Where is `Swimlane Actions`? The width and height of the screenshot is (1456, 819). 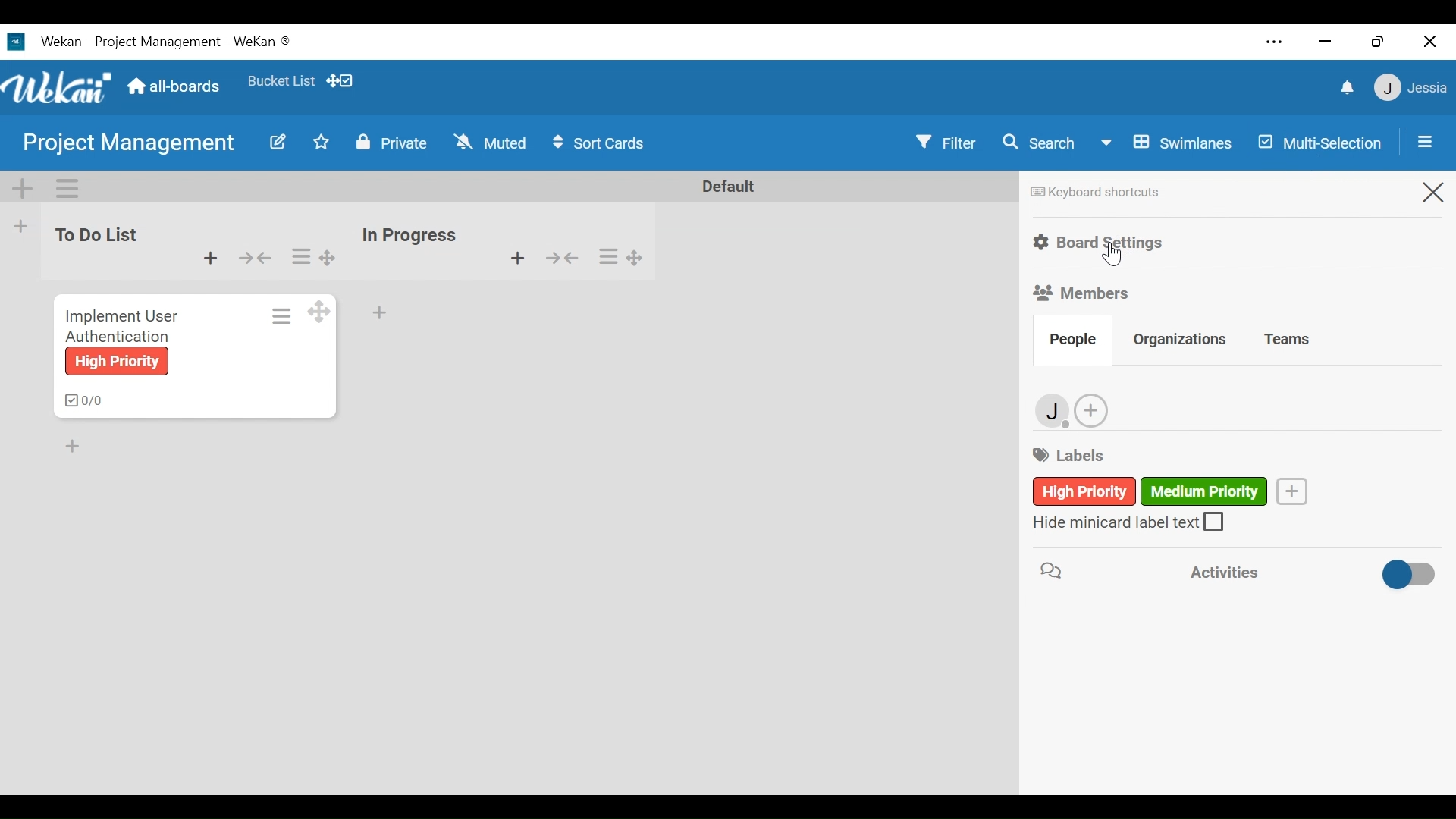 Swimlane Actions is located at coordinates (63, 188).